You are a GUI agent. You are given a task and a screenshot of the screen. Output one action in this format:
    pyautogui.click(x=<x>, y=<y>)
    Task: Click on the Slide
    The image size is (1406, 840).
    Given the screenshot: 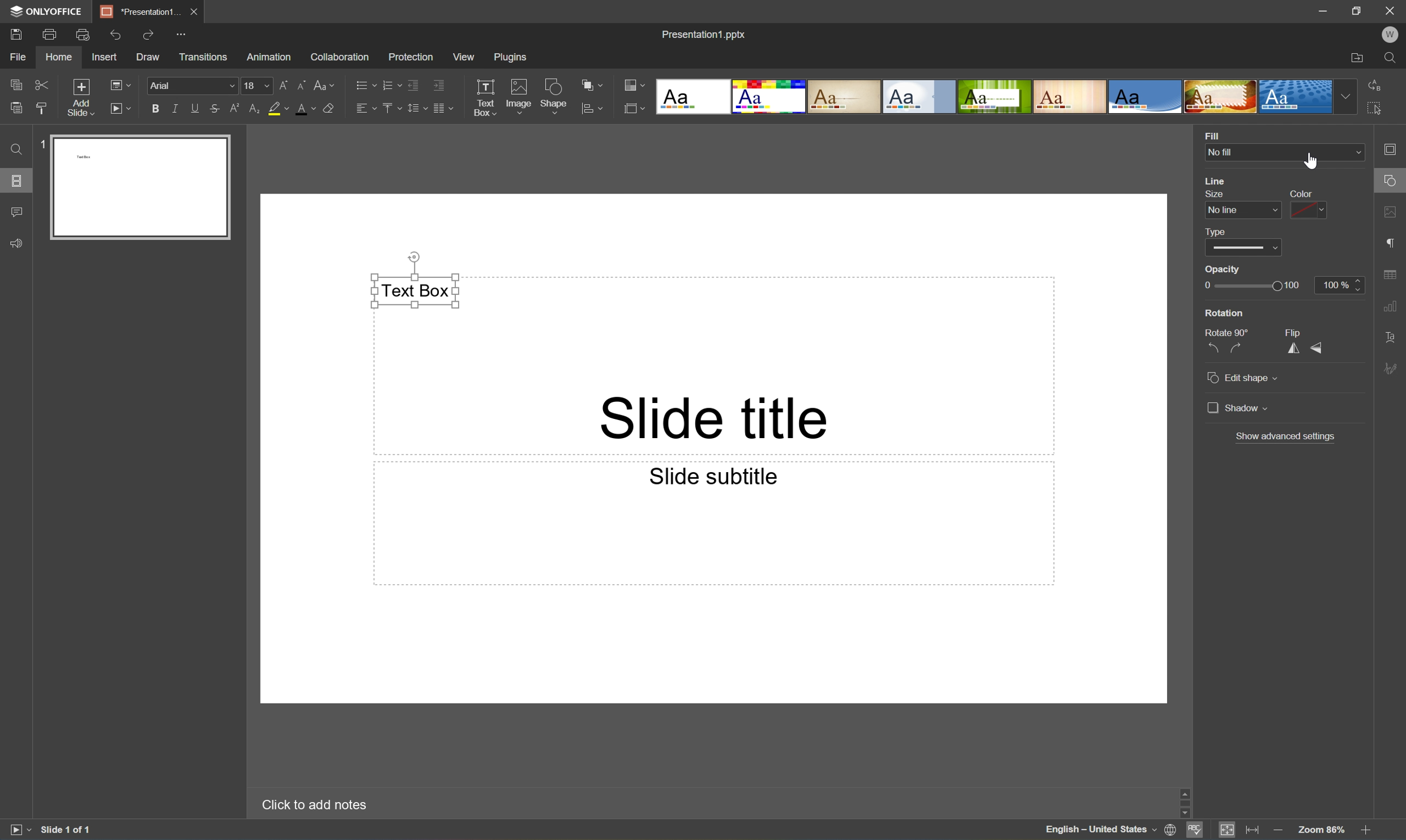 What is the action you would take?
    pyautogui.click(x=143, y=187)
    